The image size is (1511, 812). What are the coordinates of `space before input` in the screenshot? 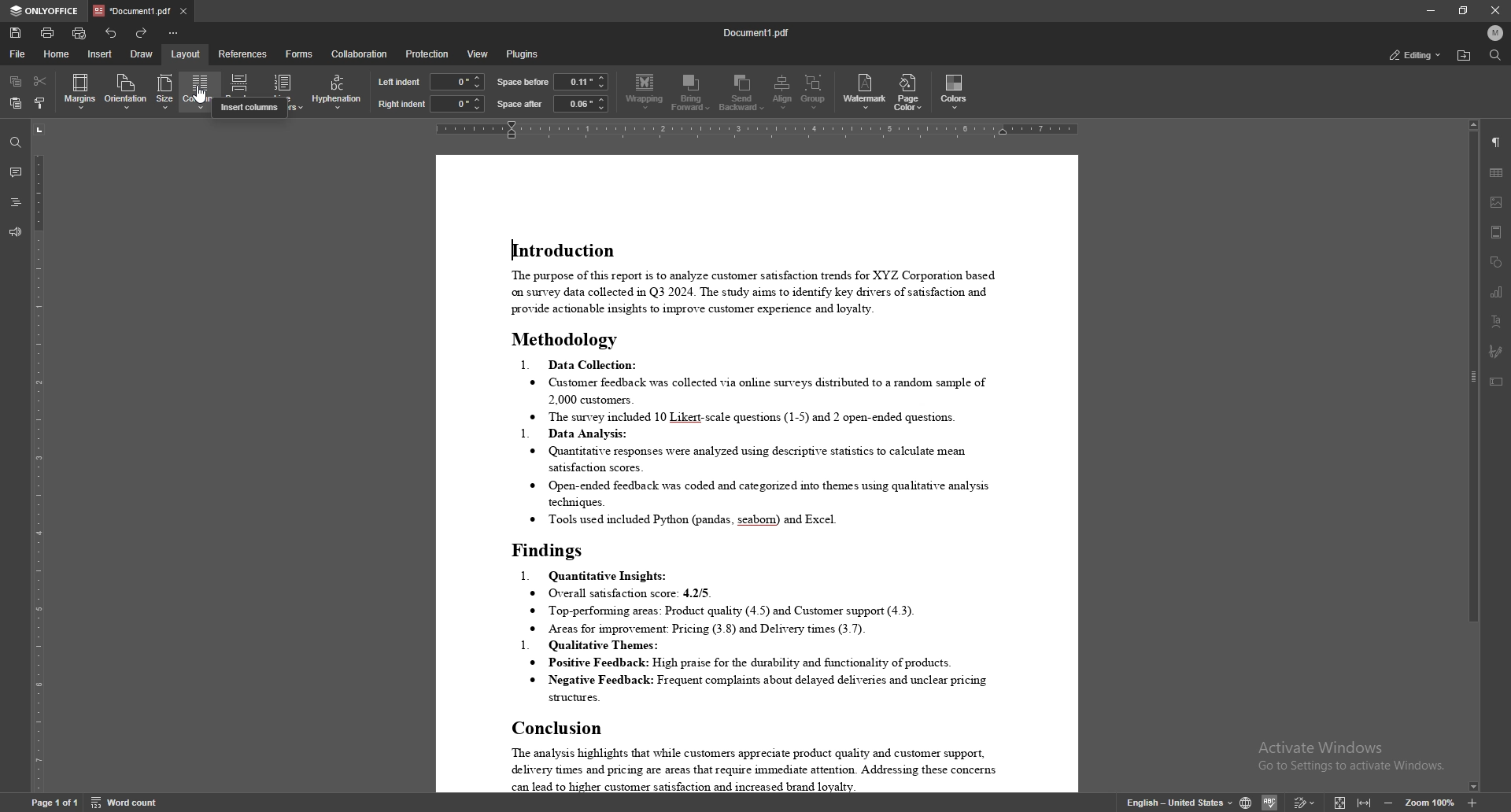 It's located at (582, 81).